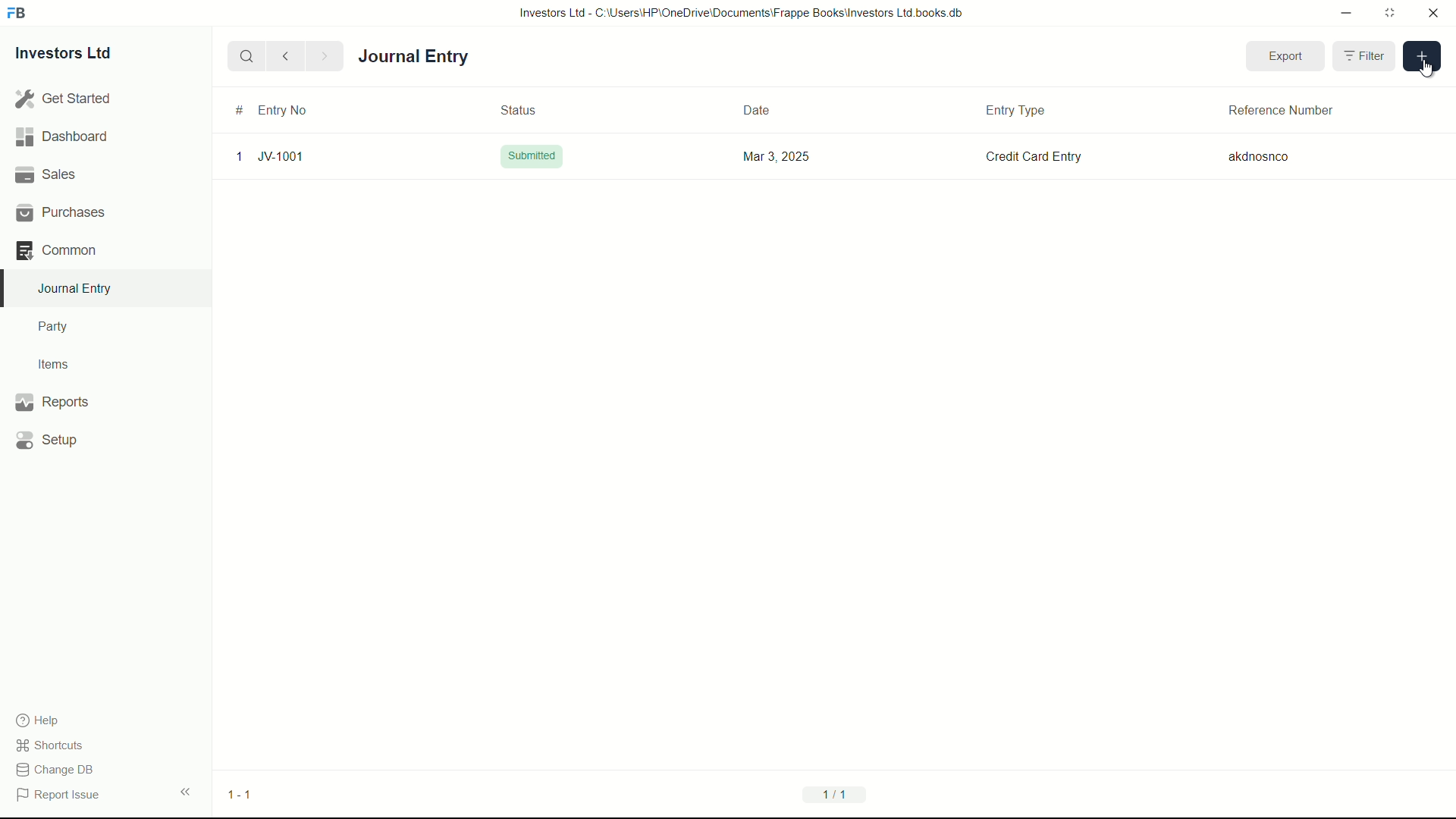 The image size is (1456, 819). Describe the element at coordinates (834, 795) in the screenshot. I see `1/1` at that location.